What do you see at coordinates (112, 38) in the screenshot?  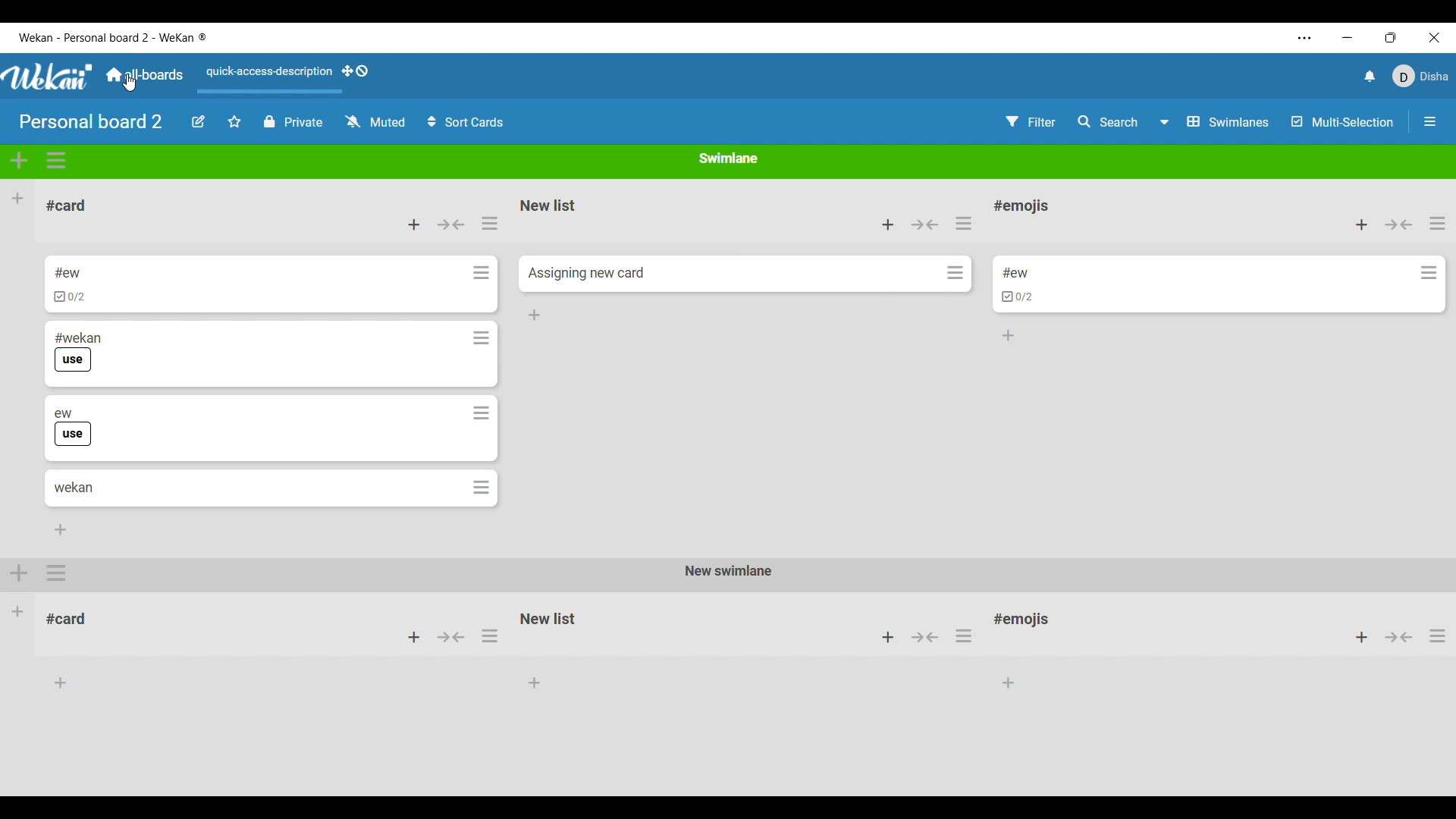 I see `Board name included` at bounding box center [112, 38].